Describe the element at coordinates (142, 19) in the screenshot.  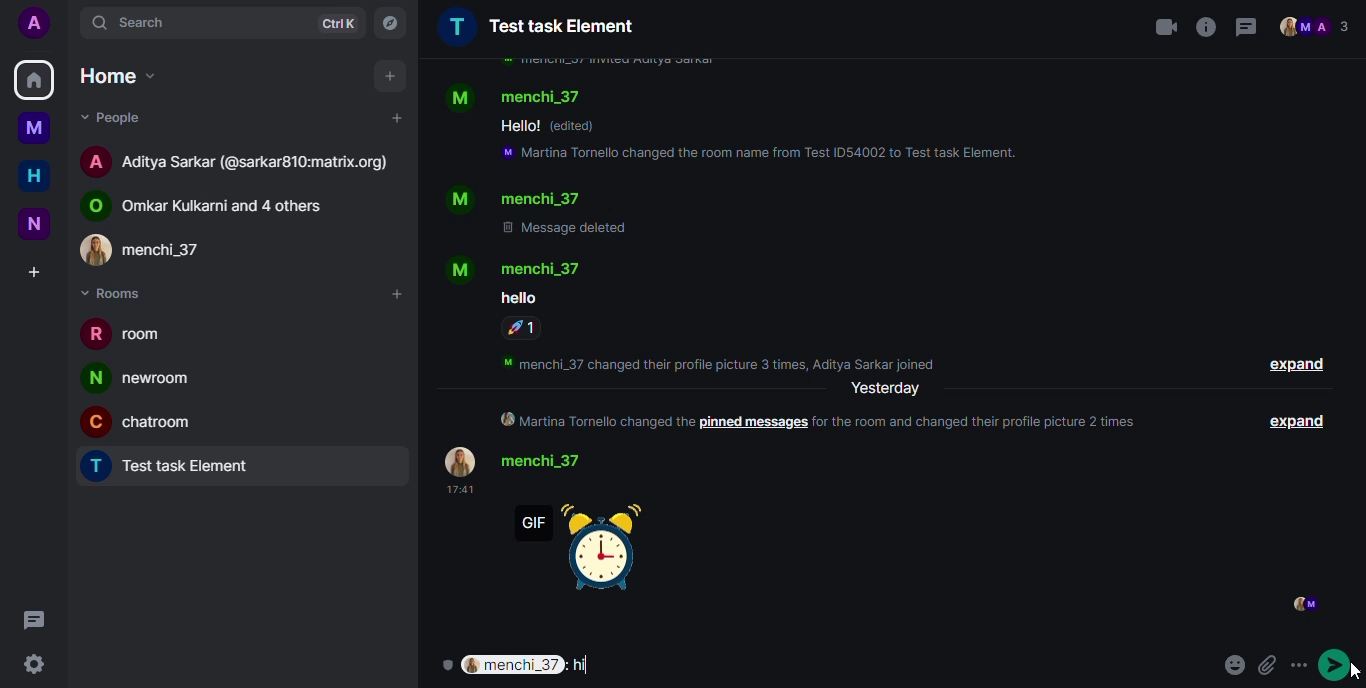
I see `search` at that location.